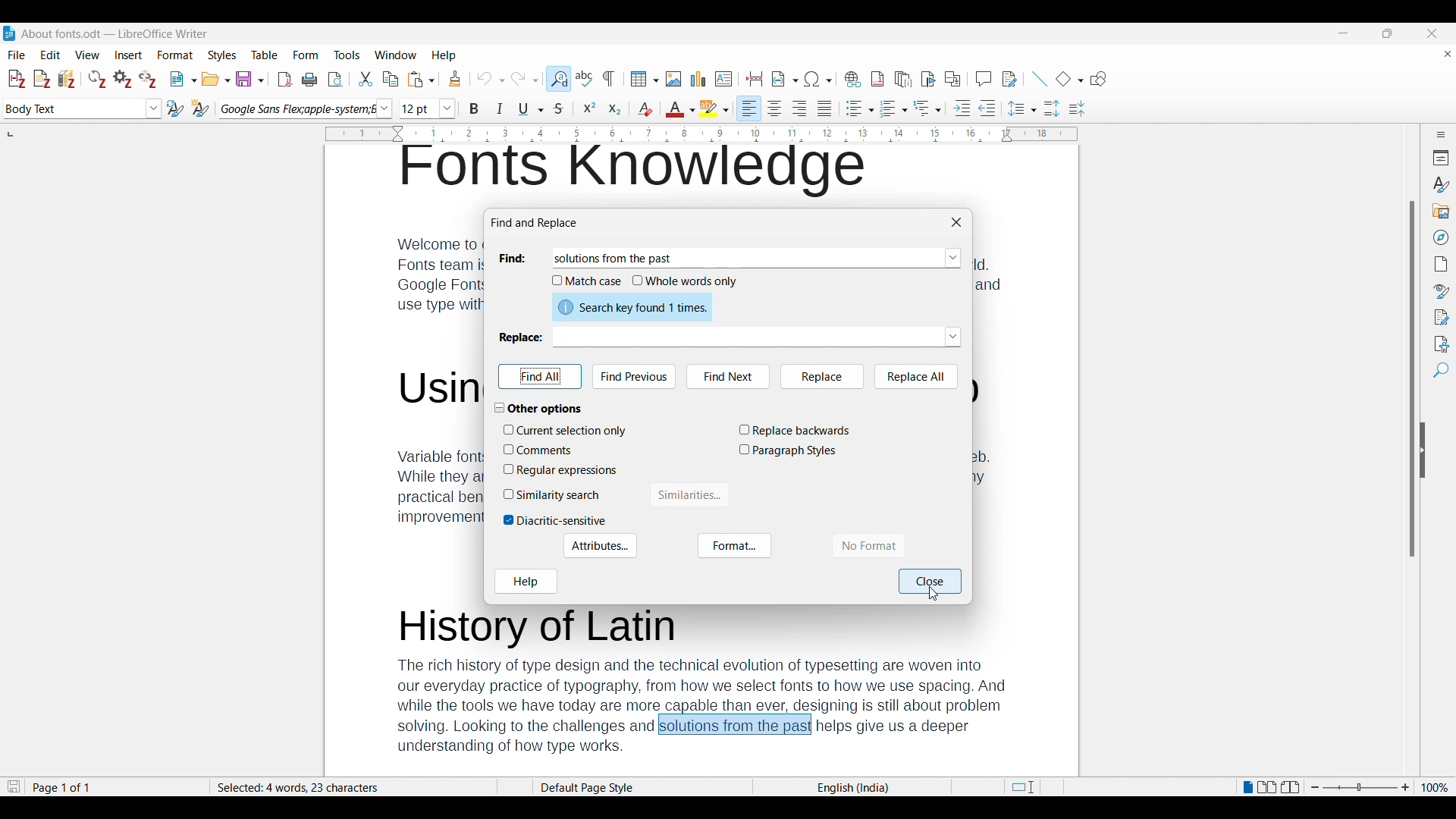 The width and height of the screenshot is (1456, 819). I want to click on Styles menu, so click(223, 55).